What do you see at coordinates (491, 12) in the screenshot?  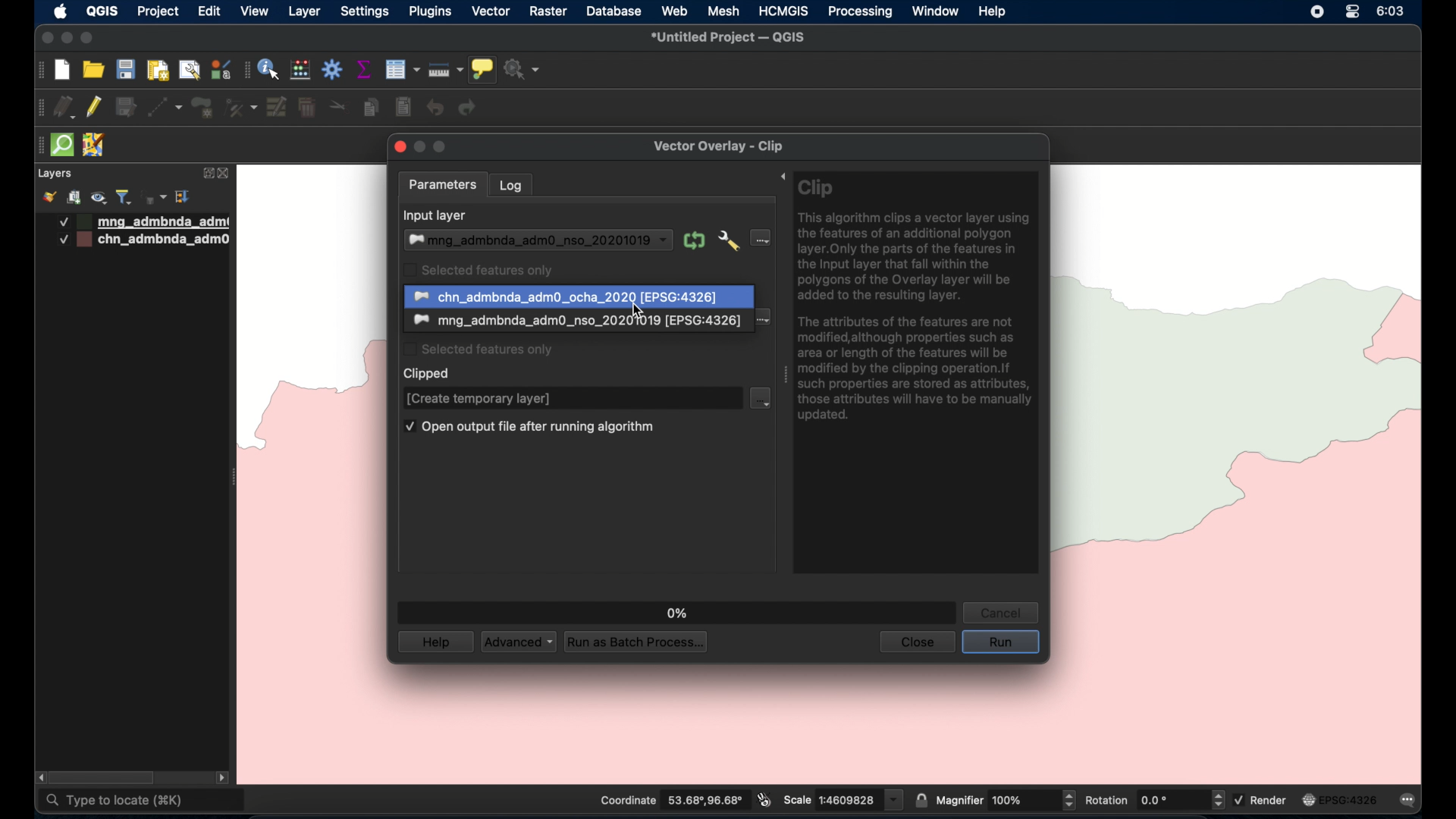 I see `vector` at bounding box center [491, 12].